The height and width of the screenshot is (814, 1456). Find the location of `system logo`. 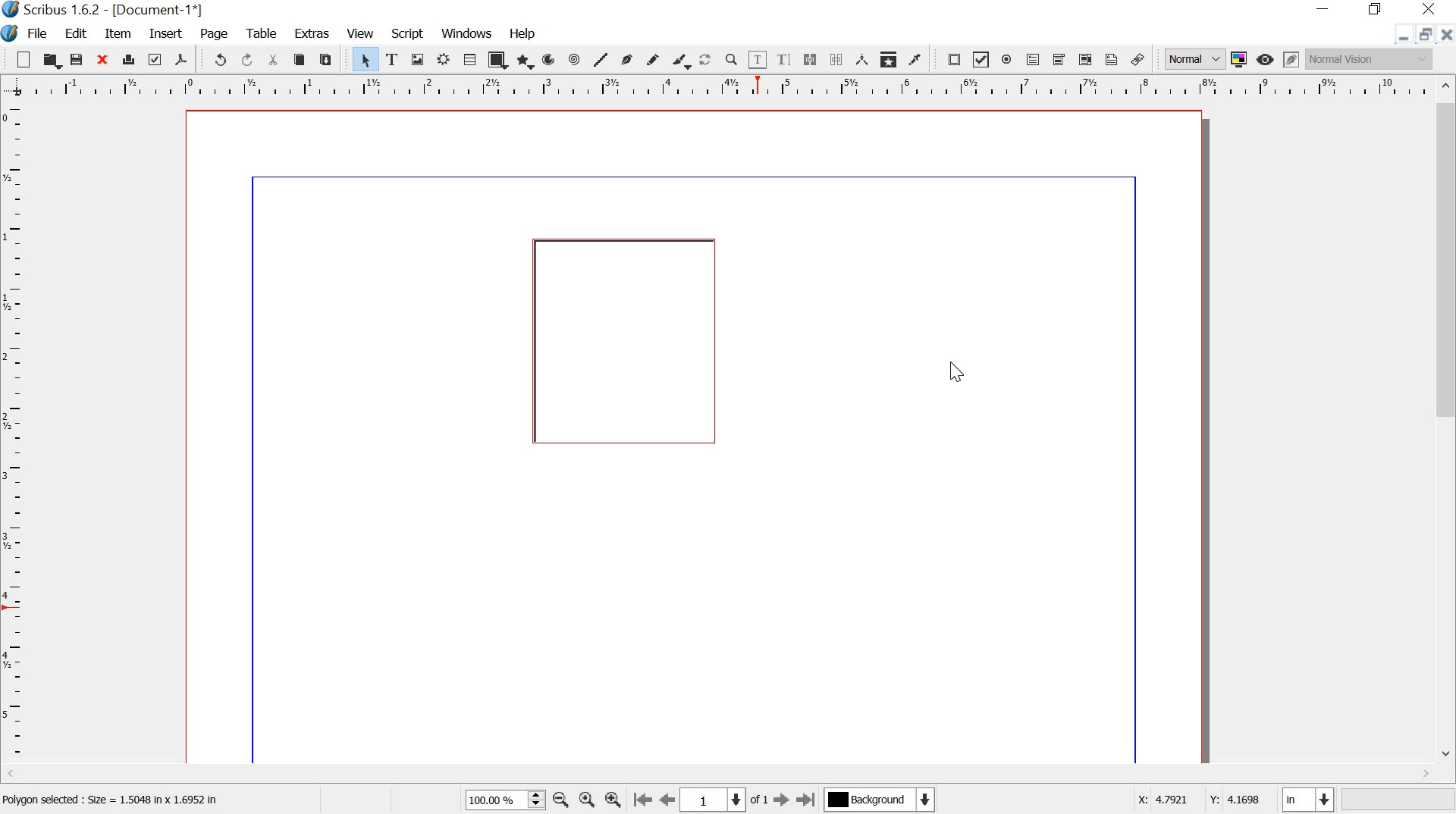

system logo is located at coordinates (11, 33).